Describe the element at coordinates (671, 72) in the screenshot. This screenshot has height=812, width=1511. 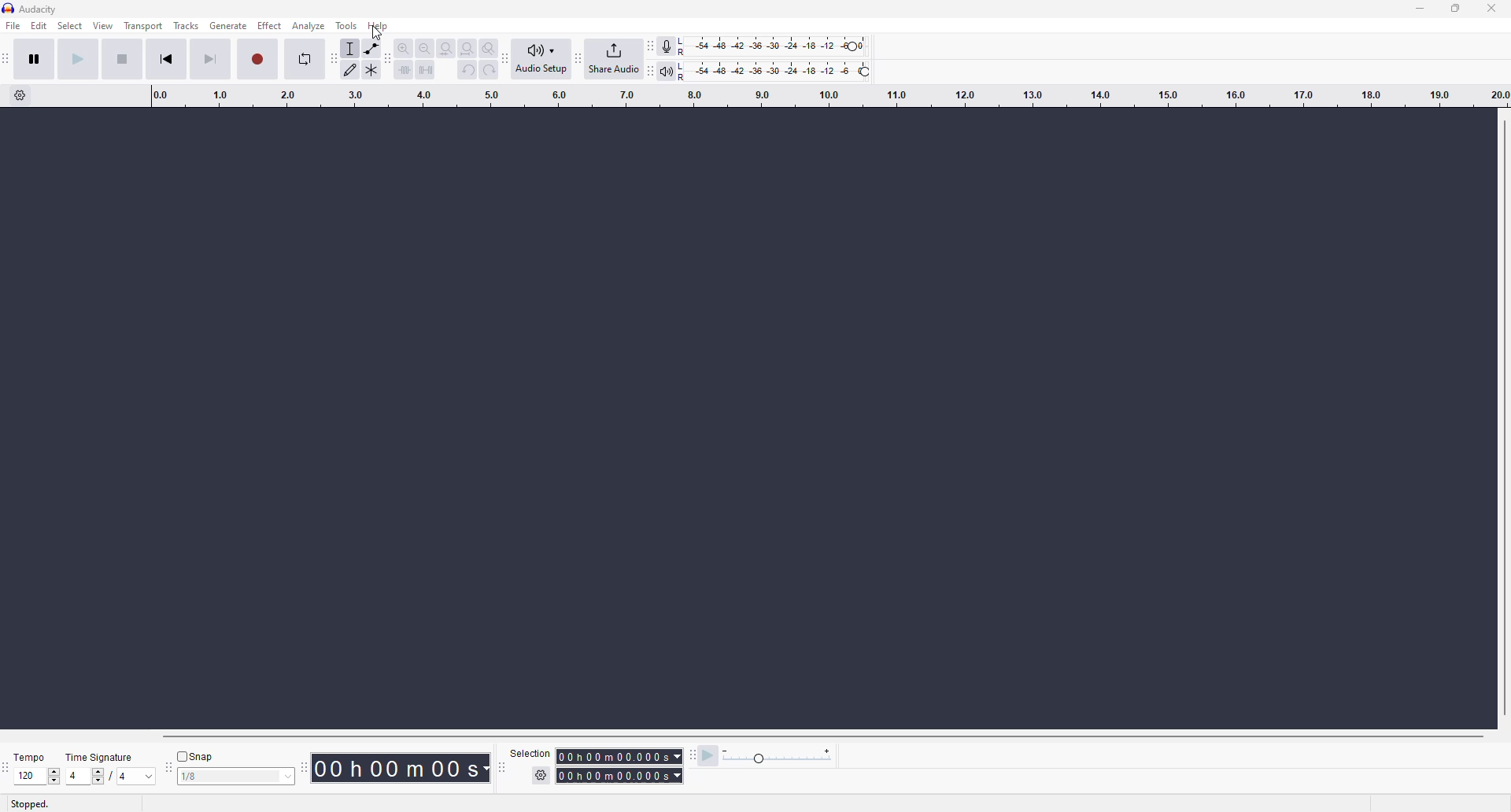
I see `playback meter` at that location.